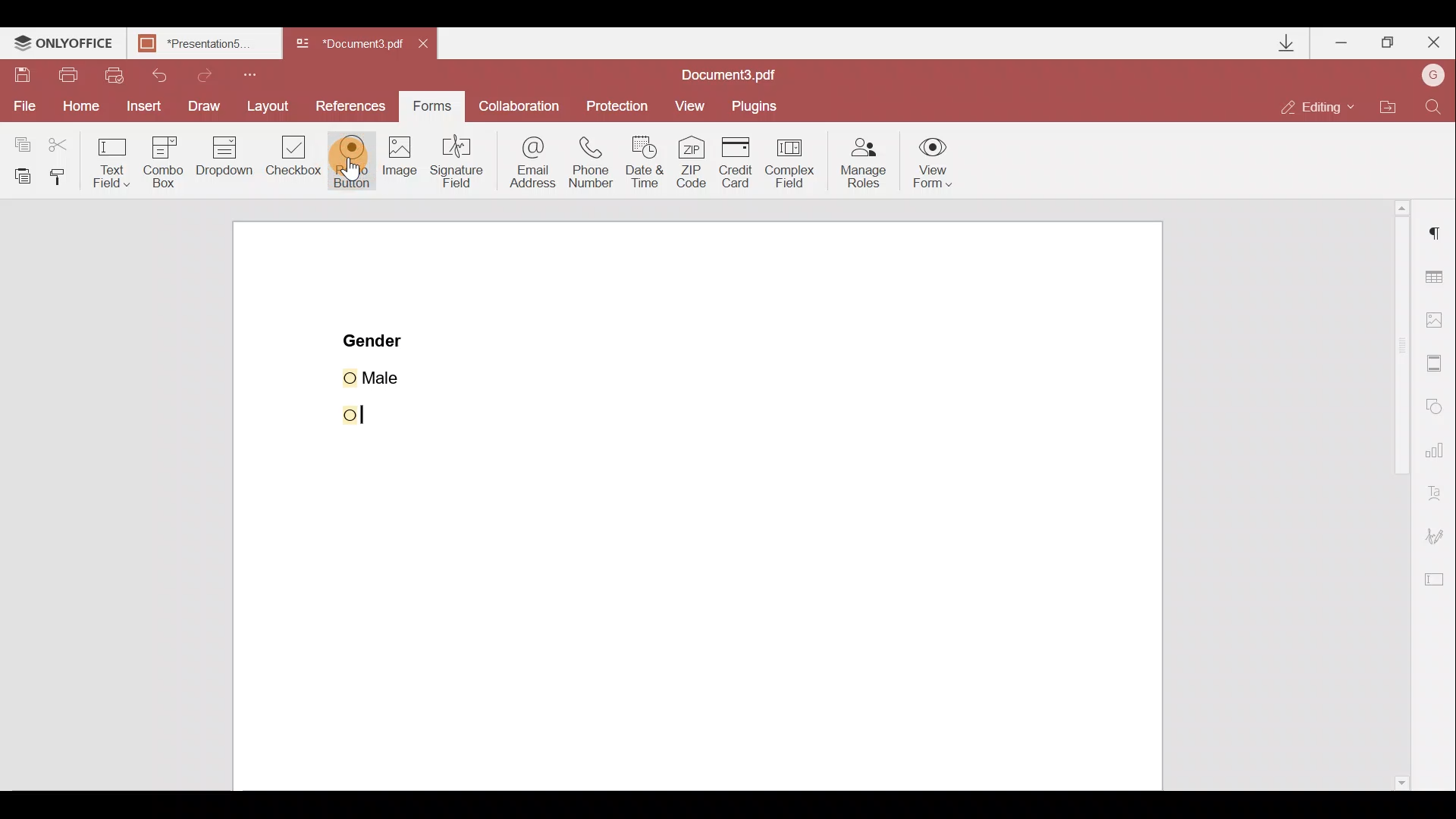 This screenshot has width=1456, height=819. Describe the element at coordinates (597, 161) in the screenshot. I see `Phone number` at that location.